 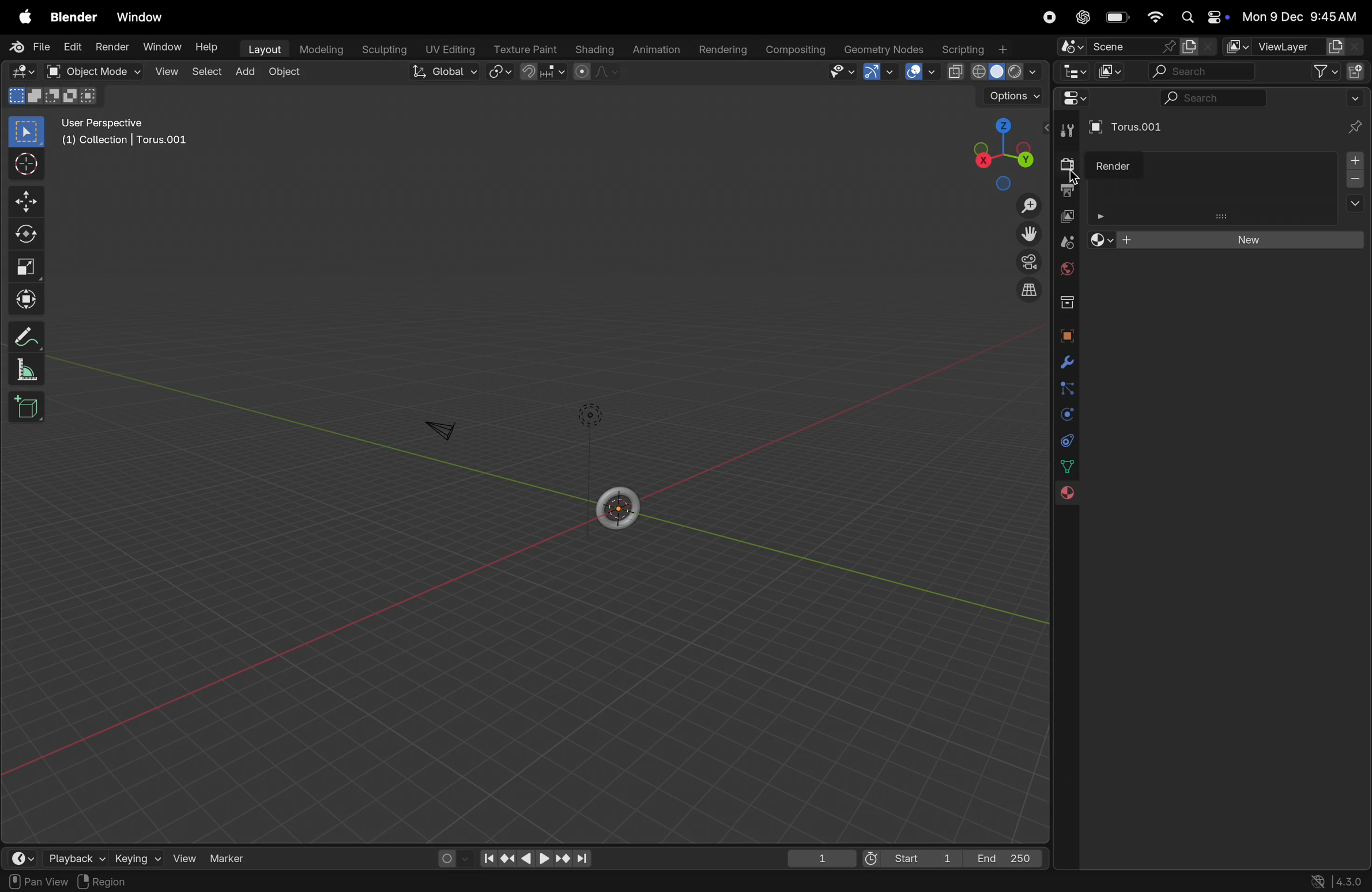 What do you see at coordinates (29, 200) in the screenshot?
I see `Move` at bounding box center [29, 200].